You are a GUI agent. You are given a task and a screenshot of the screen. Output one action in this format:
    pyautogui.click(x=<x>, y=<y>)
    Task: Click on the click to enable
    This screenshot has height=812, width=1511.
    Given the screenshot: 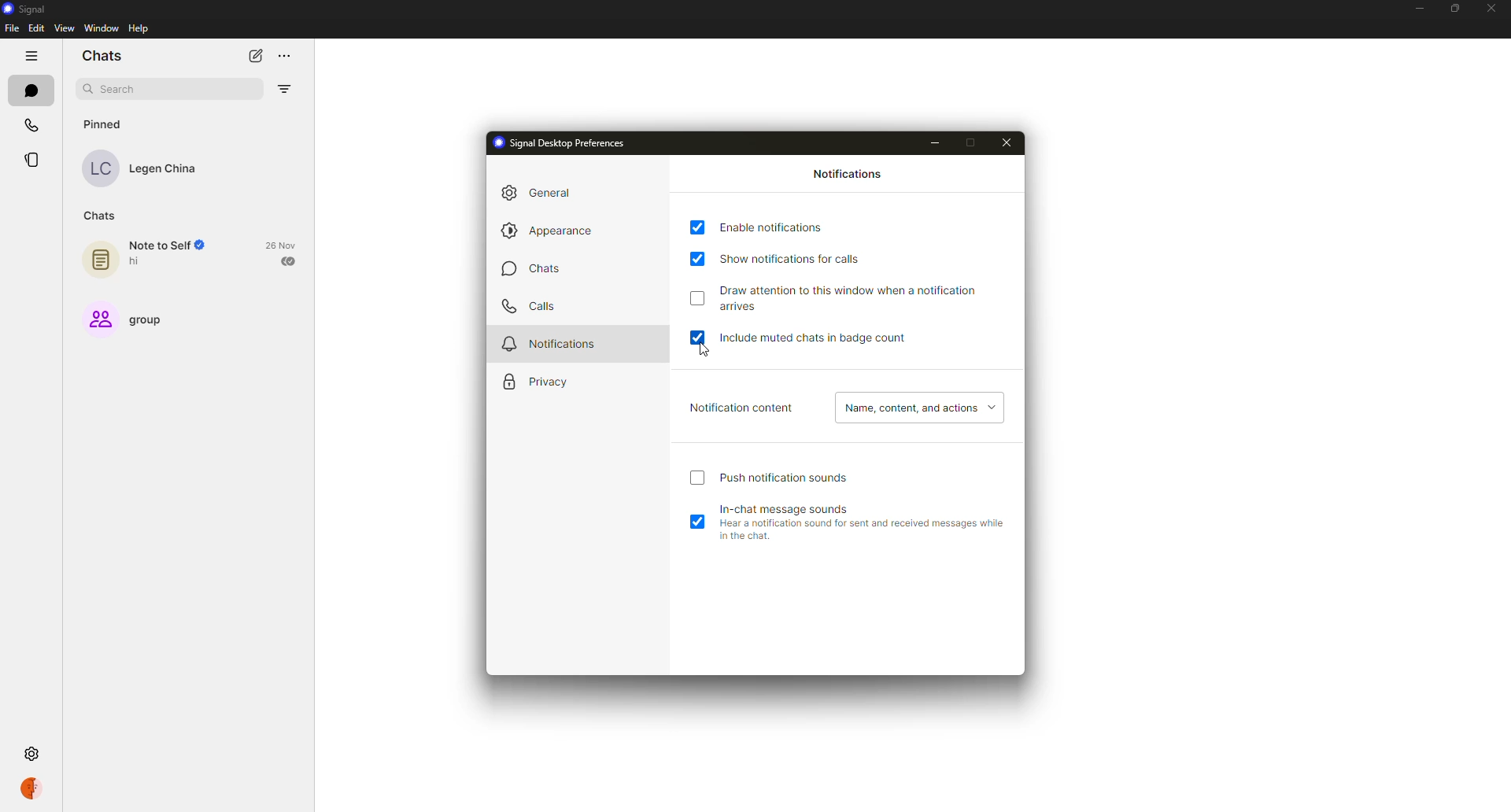 What is the action you would take?
    pyautogui.click(x=699, y=297)
    